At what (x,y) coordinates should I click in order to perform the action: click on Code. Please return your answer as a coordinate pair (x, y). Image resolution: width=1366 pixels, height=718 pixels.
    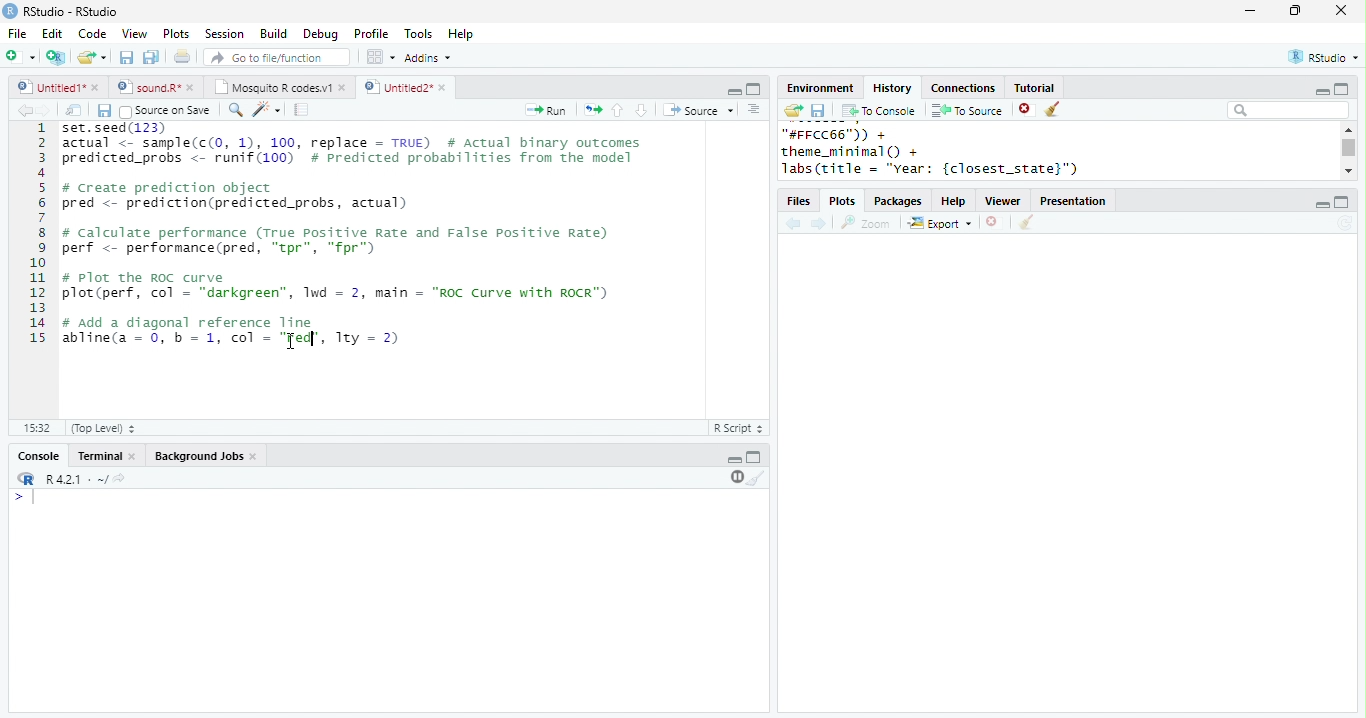
    Looking at the image, I should click on (92, 33).